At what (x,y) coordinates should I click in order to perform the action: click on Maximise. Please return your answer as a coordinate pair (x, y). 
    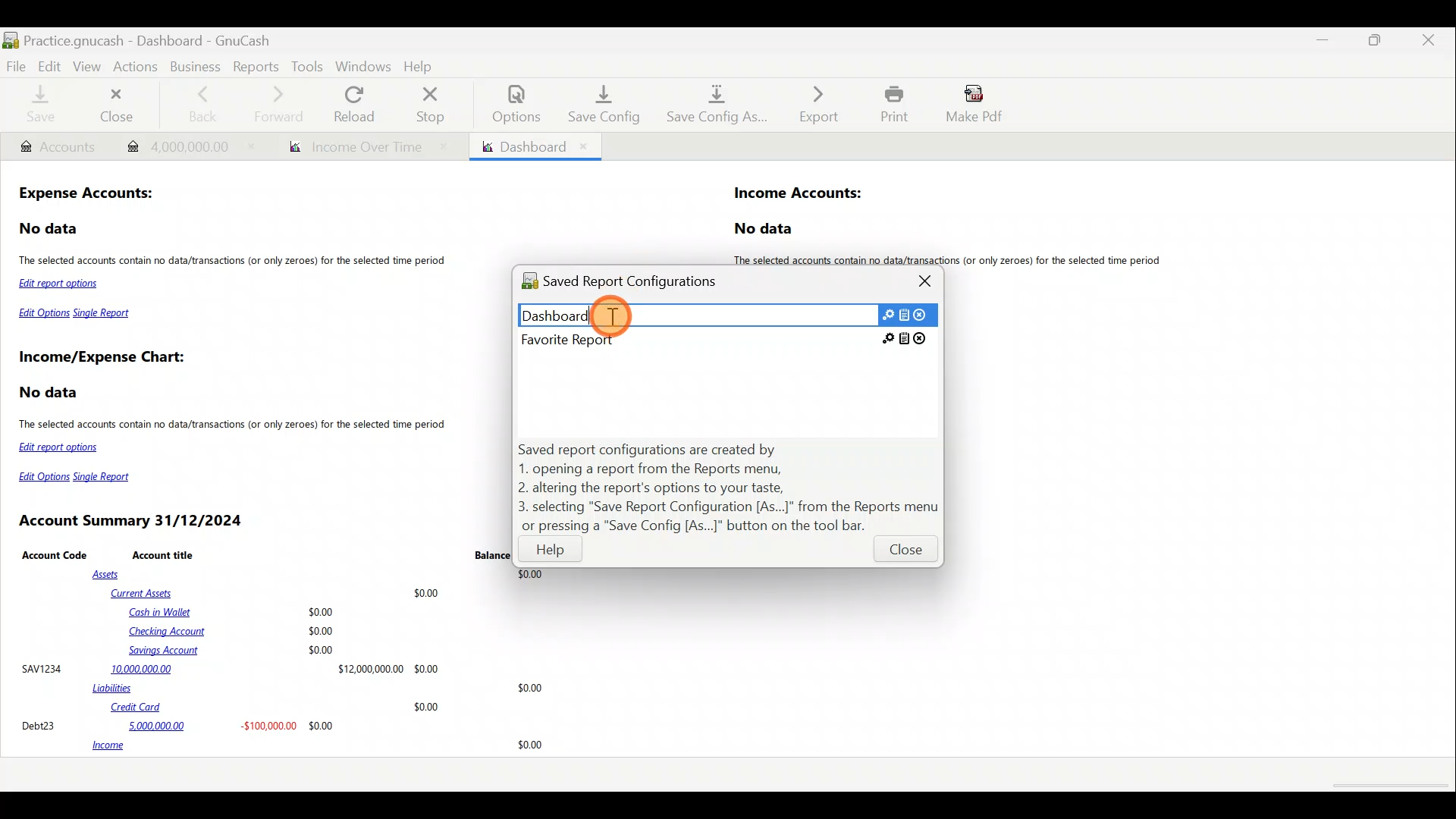
    Looking at the image, I should click on (1378, 45).